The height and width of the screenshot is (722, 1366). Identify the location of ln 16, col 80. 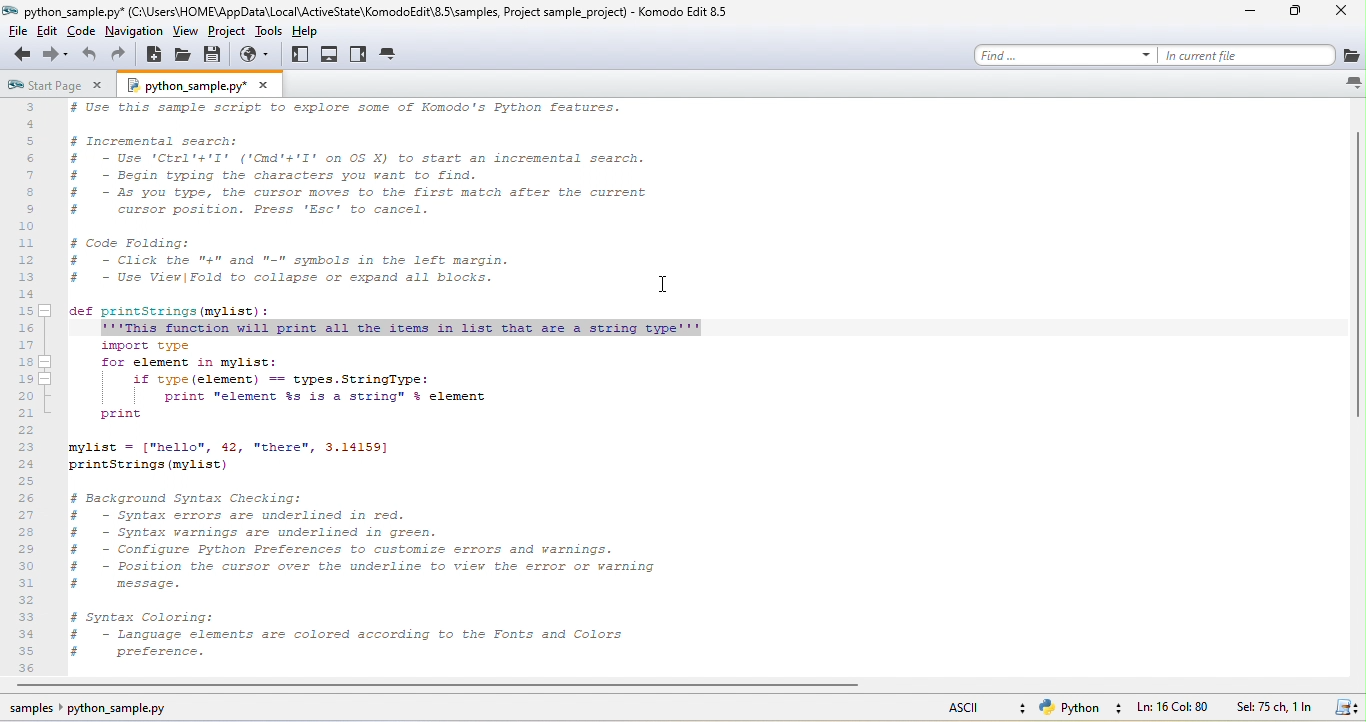
(1175, 708).